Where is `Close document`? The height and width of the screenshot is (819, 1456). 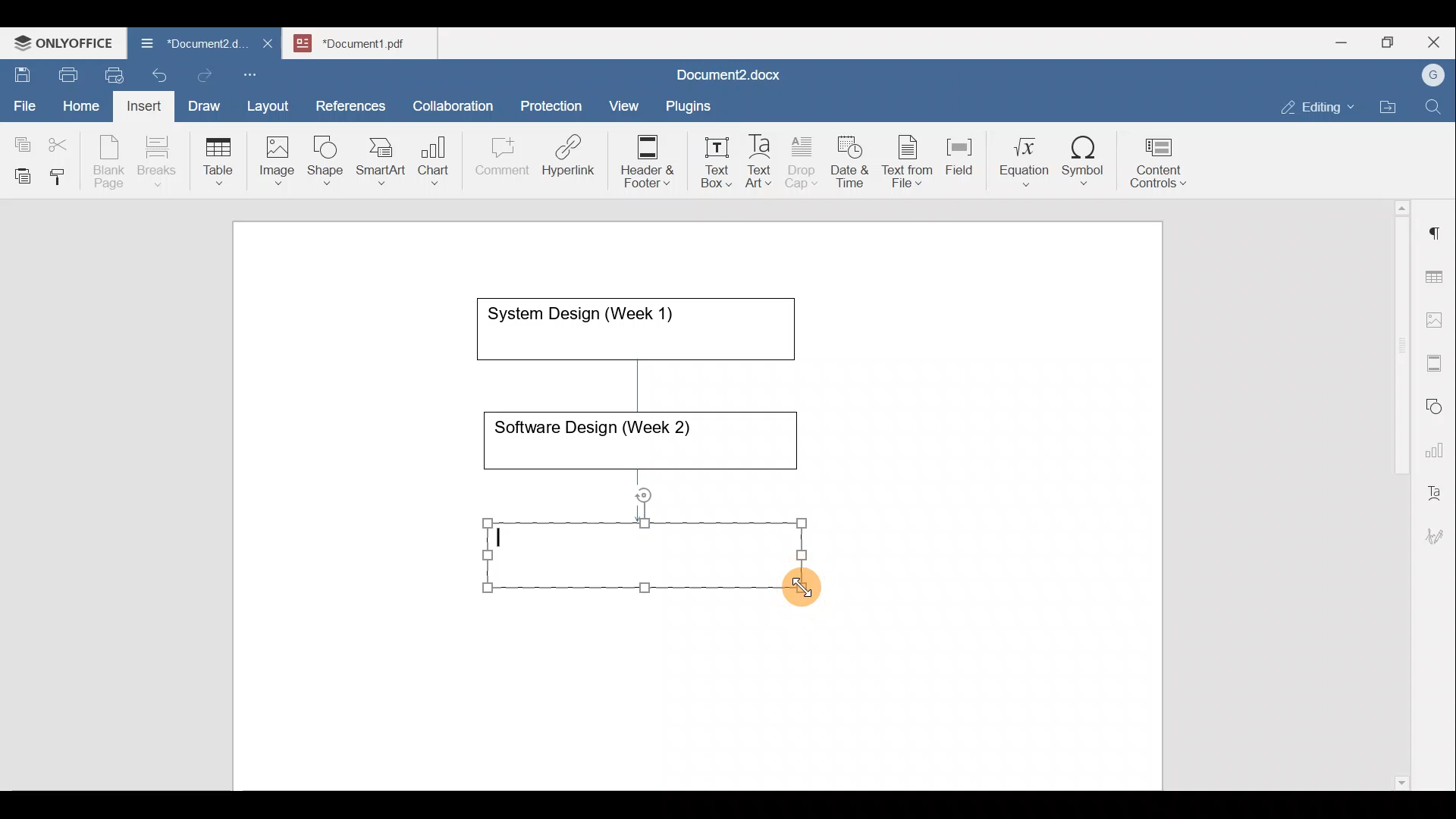 Close document is located at coordinates (268, 45).